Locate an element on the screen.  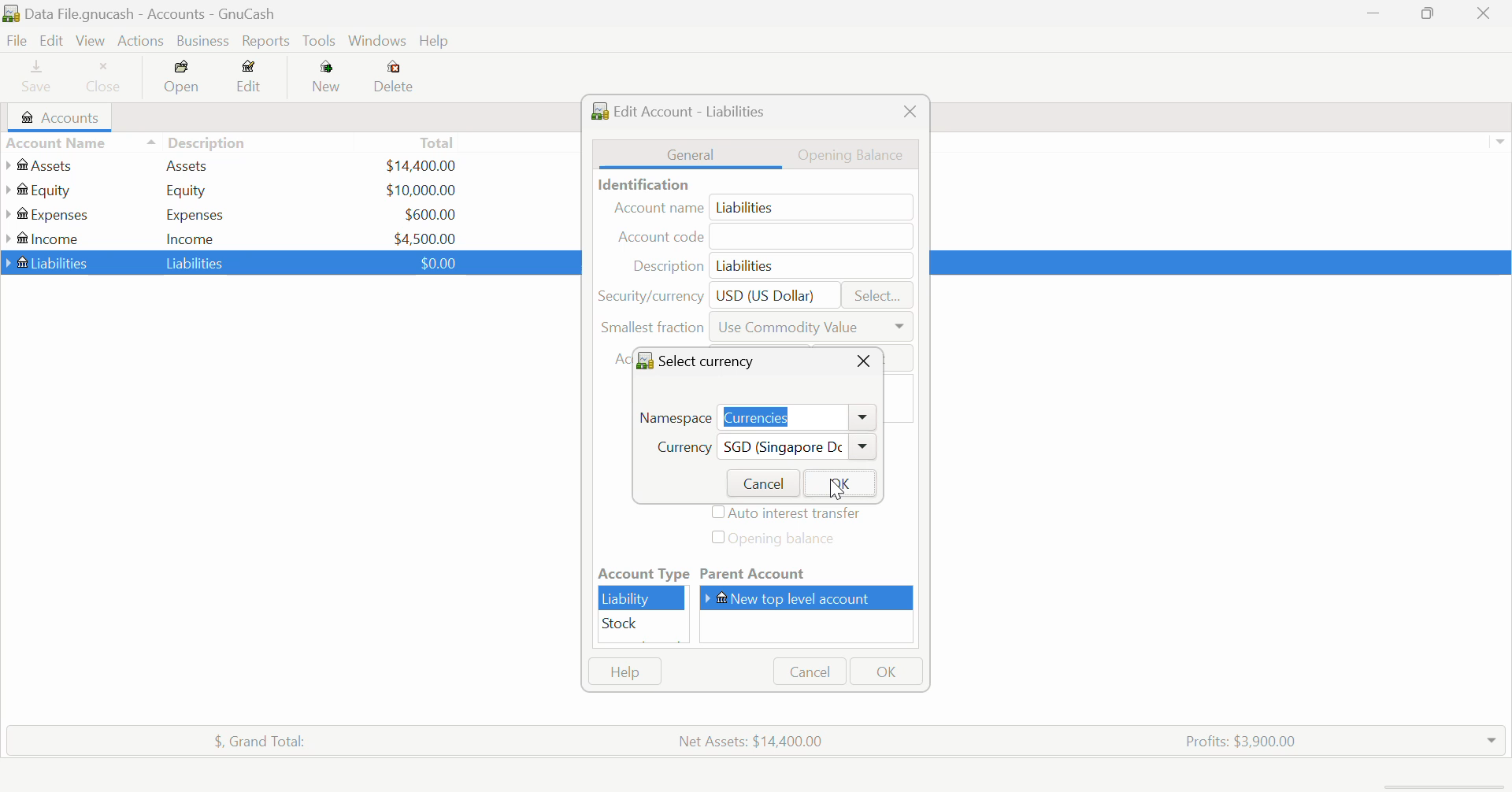
Namespace: Currencies is located at coordinates (756, 415).